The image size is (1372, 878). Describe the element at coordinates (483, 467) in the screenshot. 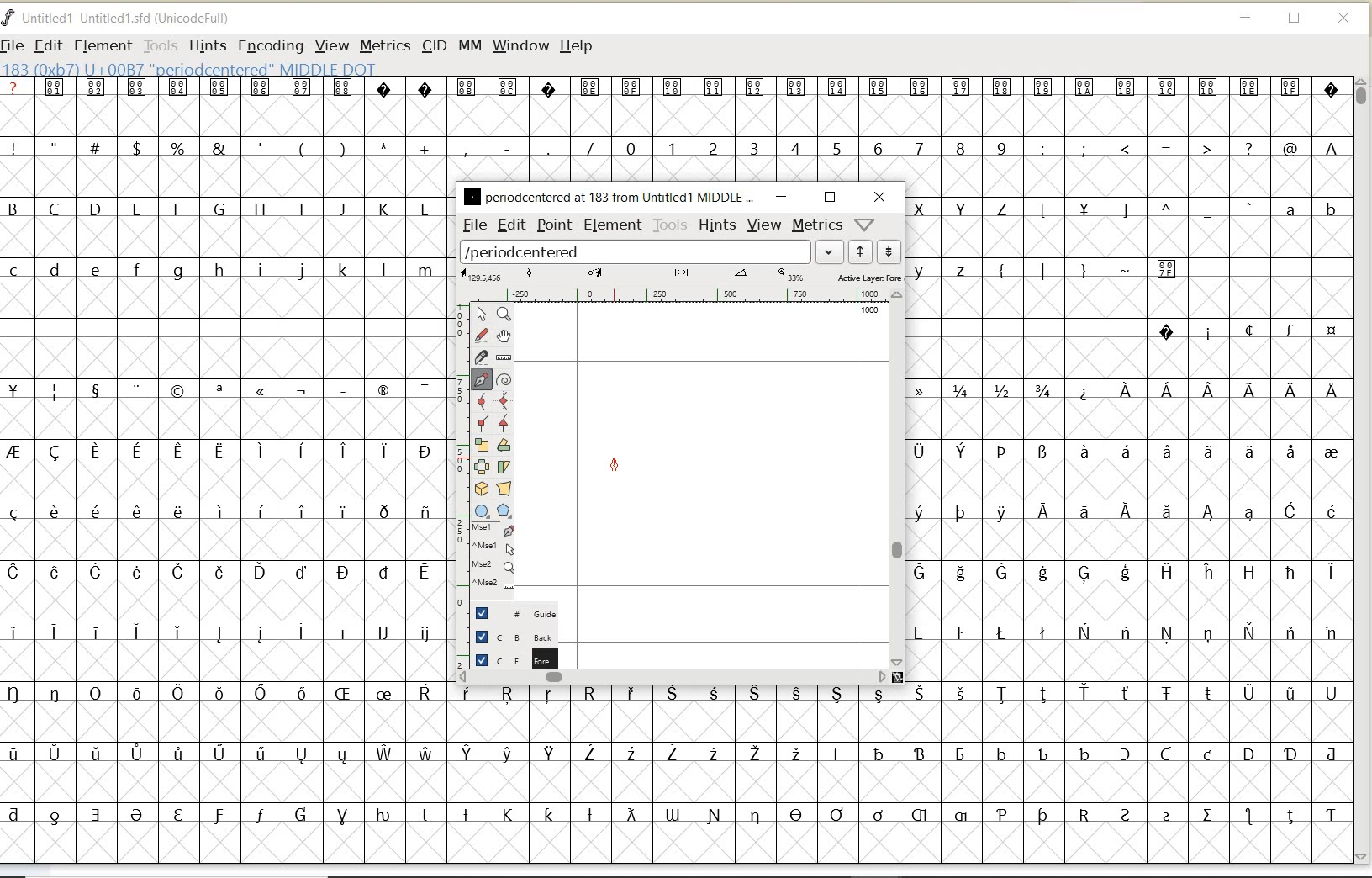

I see `flip the selection` at that location.